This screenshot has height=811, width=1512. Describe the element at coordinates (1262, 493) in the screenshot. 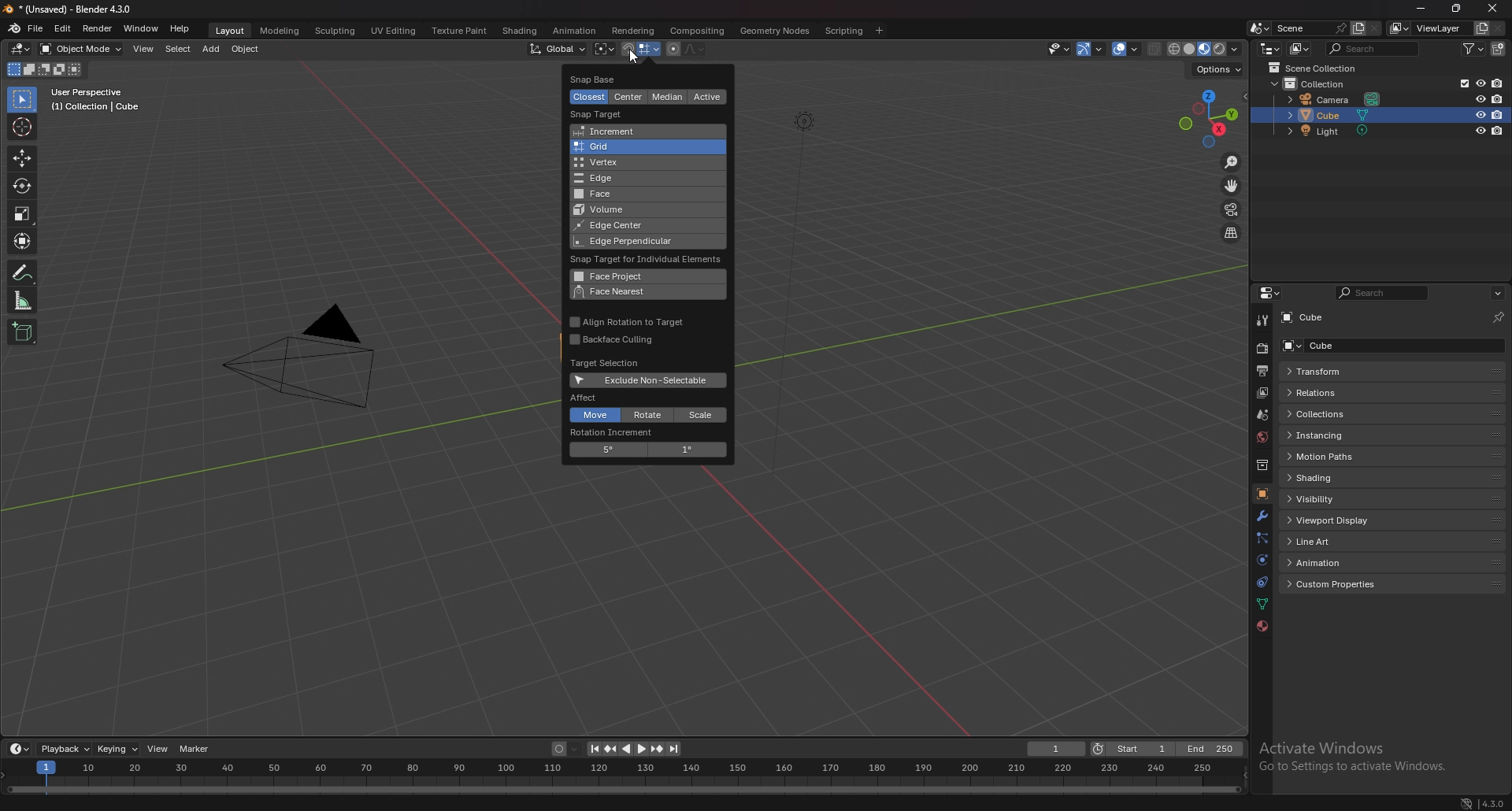

I see `object` at that location.